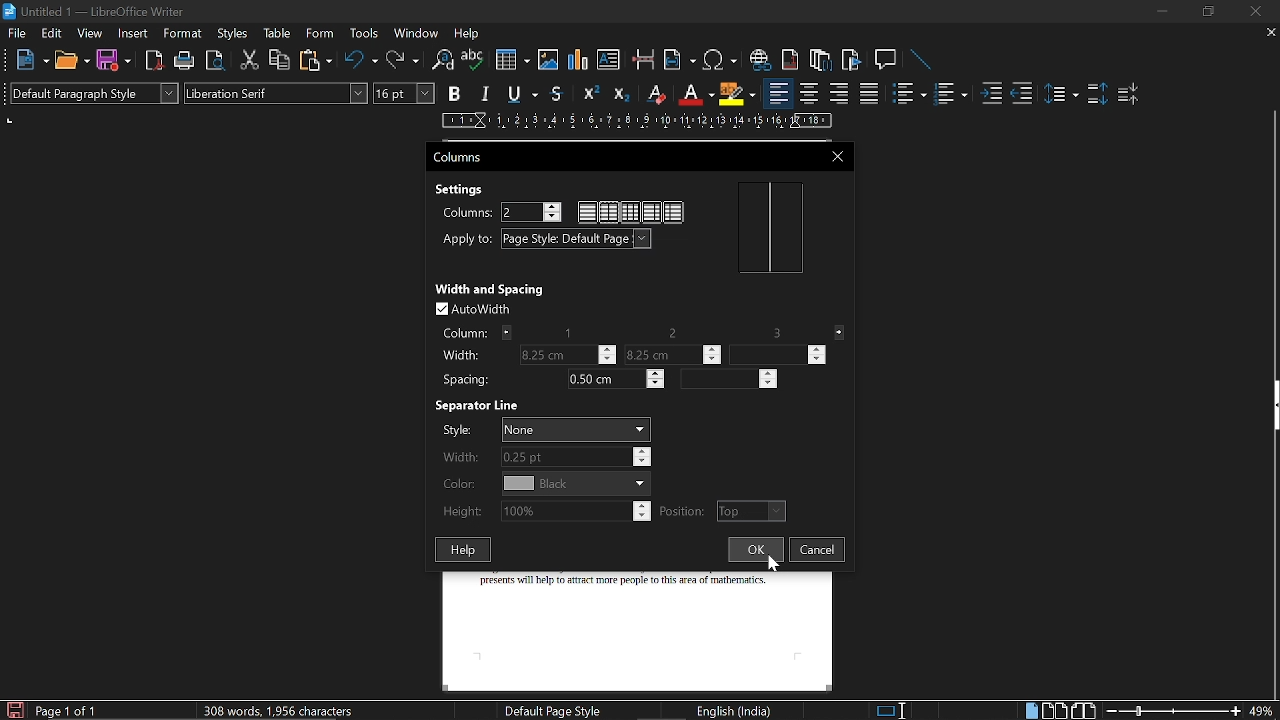  Describe the element at coordinates (610, 61) in the screenshot. I see `Insert text` at that location.